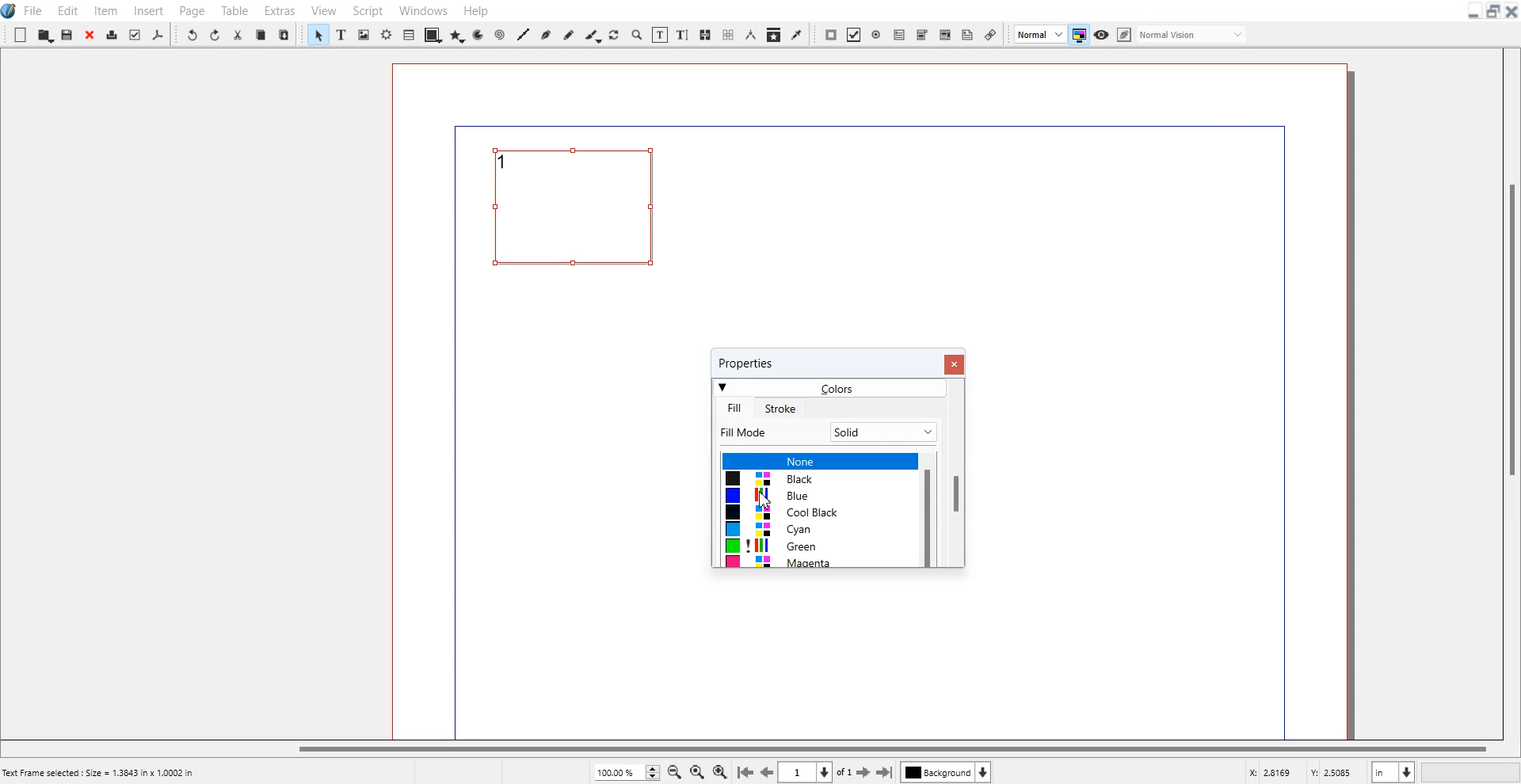  Describe the element at coordinates (135, 33) in the screenshot. I see `Preflight verifier` at that location.